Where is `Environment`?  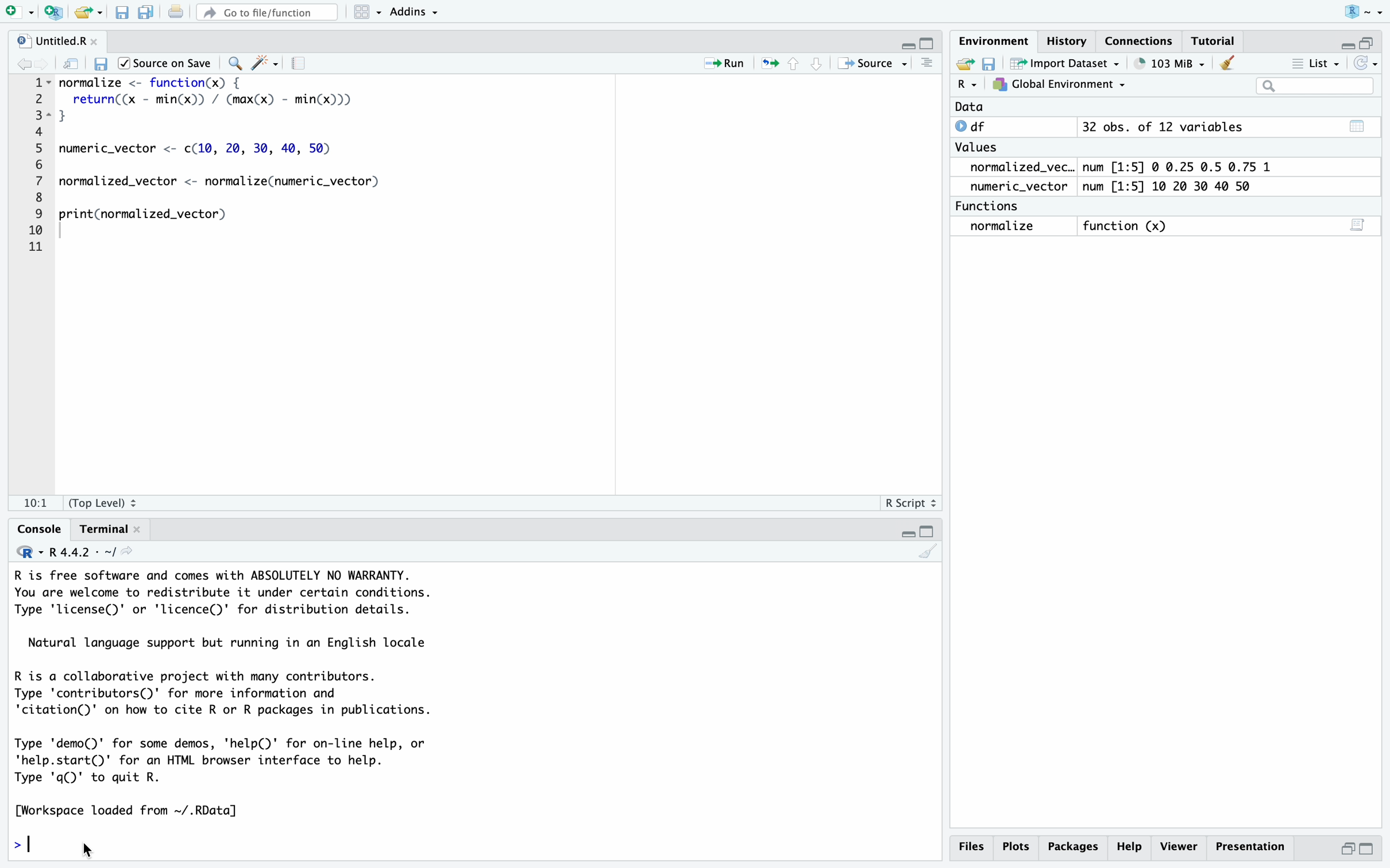 Environment is located at coordinates (995, 40).